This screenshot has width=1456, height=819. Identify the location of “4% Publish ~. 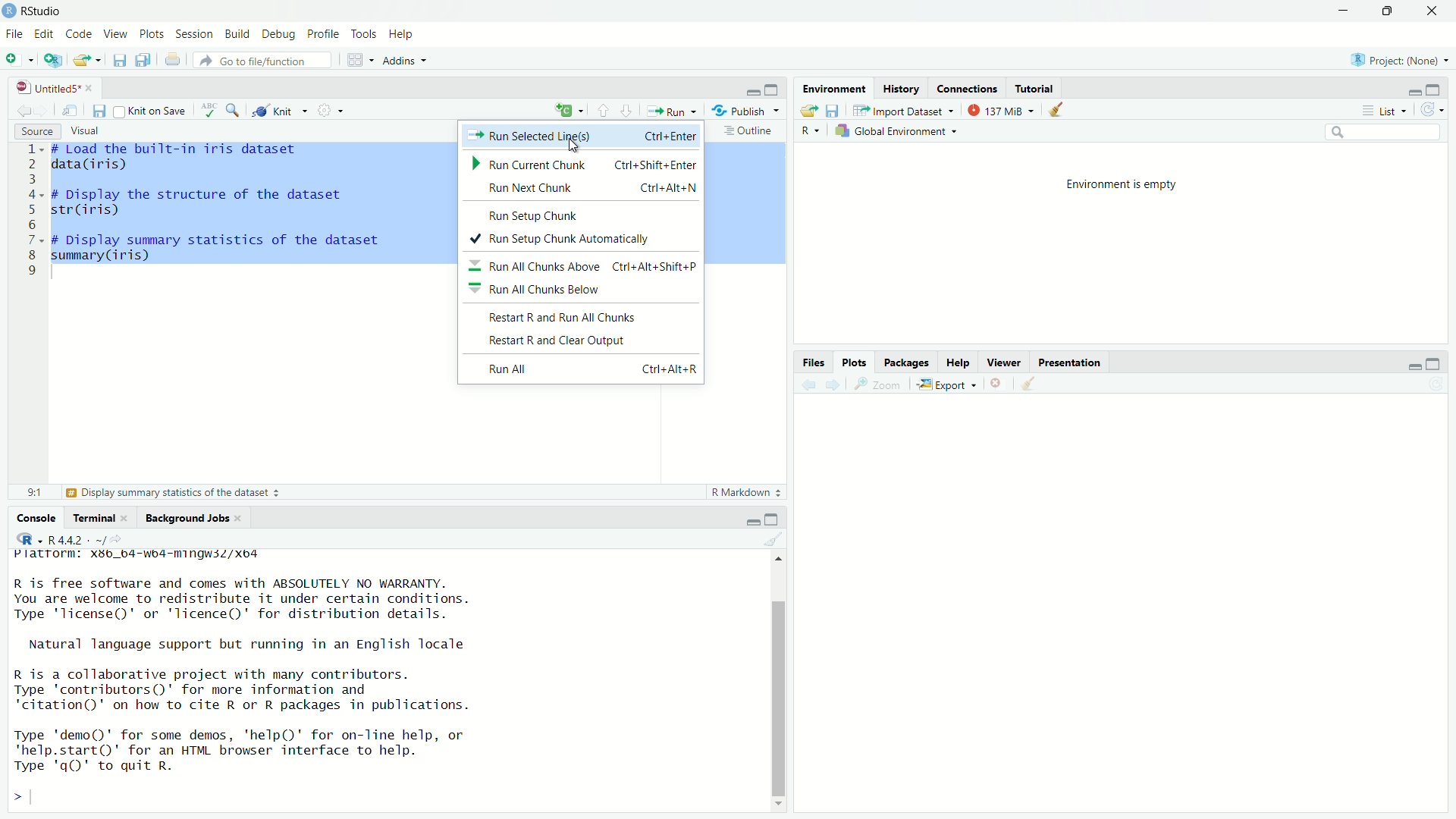
(745, 109).